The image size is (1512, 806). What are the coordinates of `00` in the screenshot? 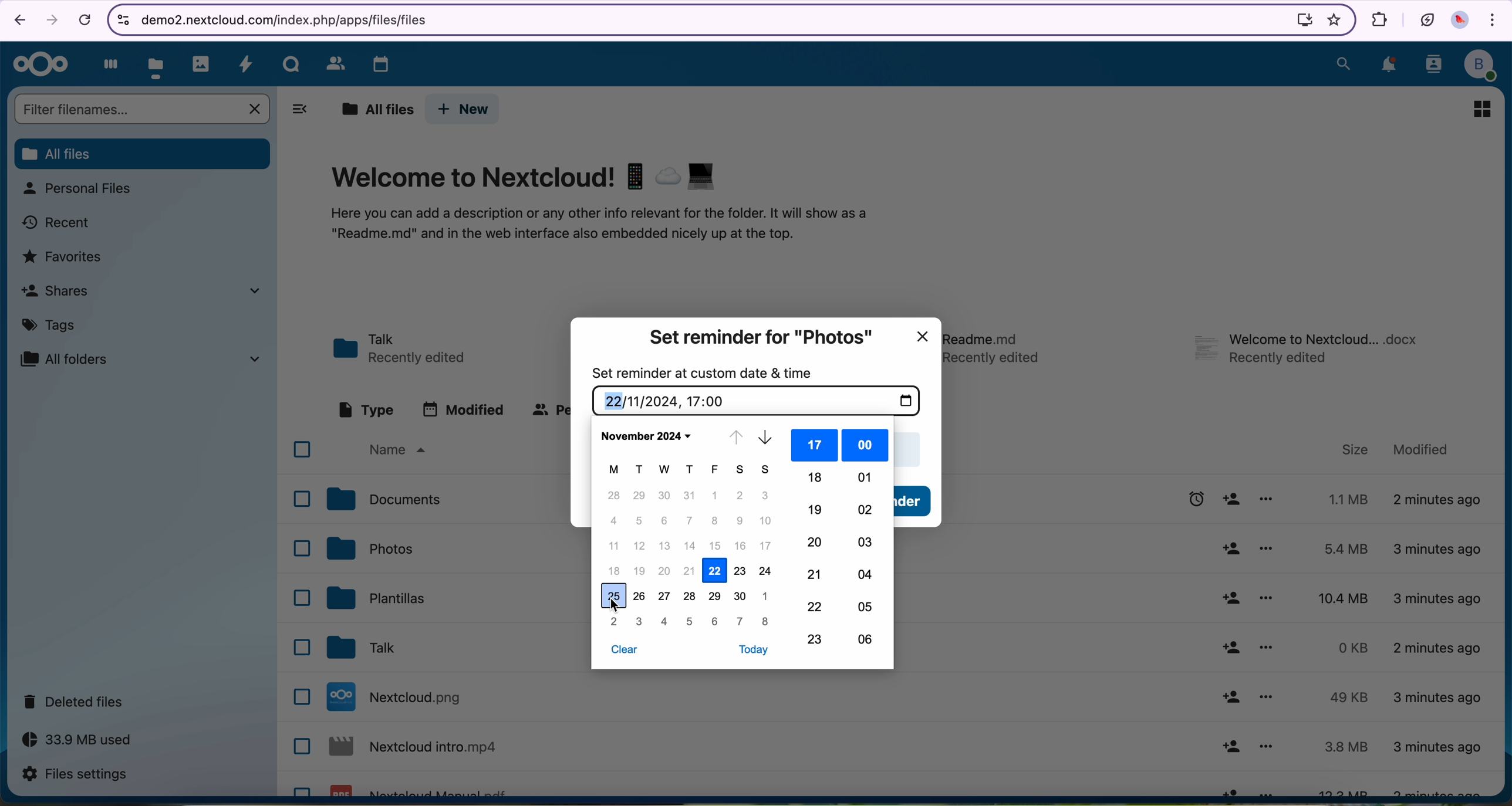 It's located at (865, 446).